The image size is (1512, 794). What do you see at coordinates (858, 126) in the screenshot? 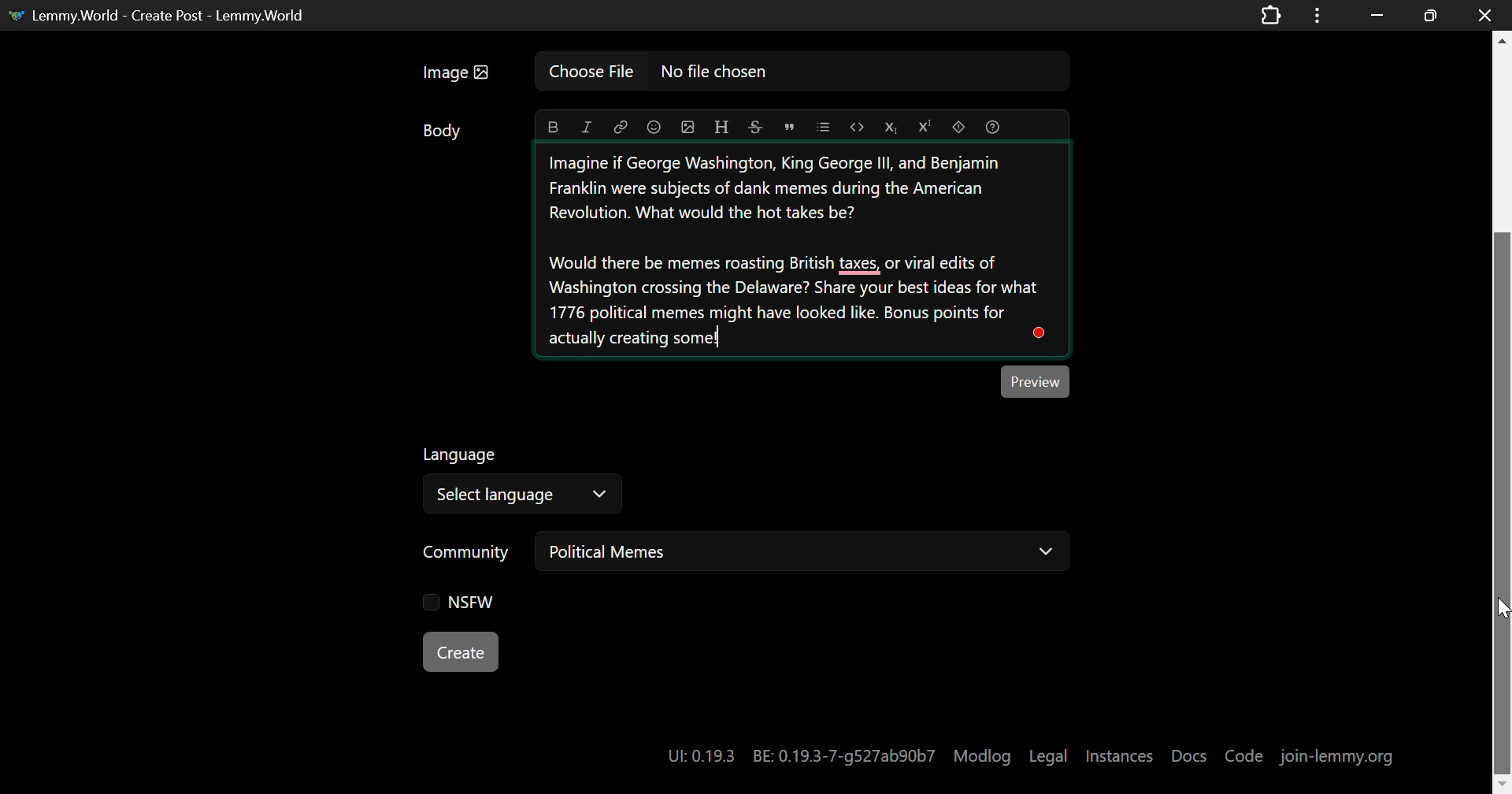
I see `Code` at bounding box center [858, 126].